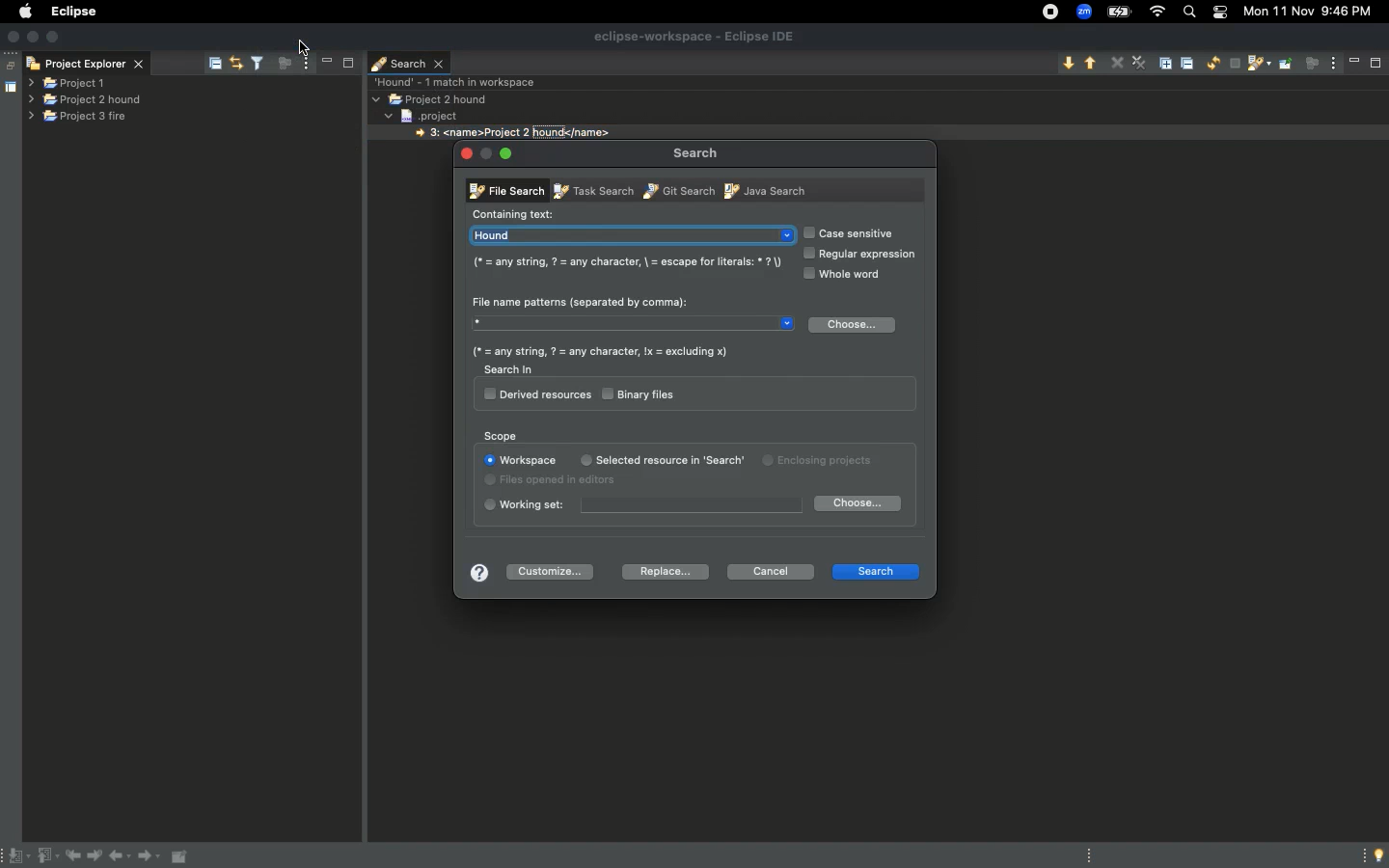  What do you see at coordinates (874, 570) in the screenshot?
I see `Search` at bounding box center [874, 570].